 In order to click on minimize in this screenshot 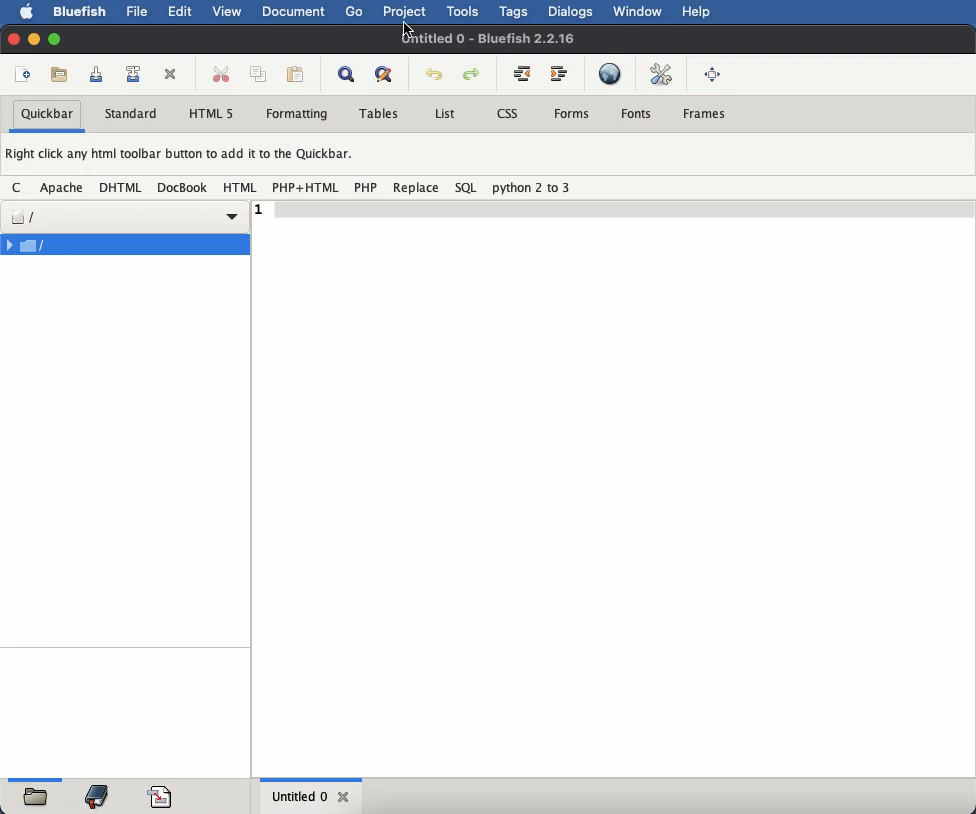, I will do `click(35, 39)`.